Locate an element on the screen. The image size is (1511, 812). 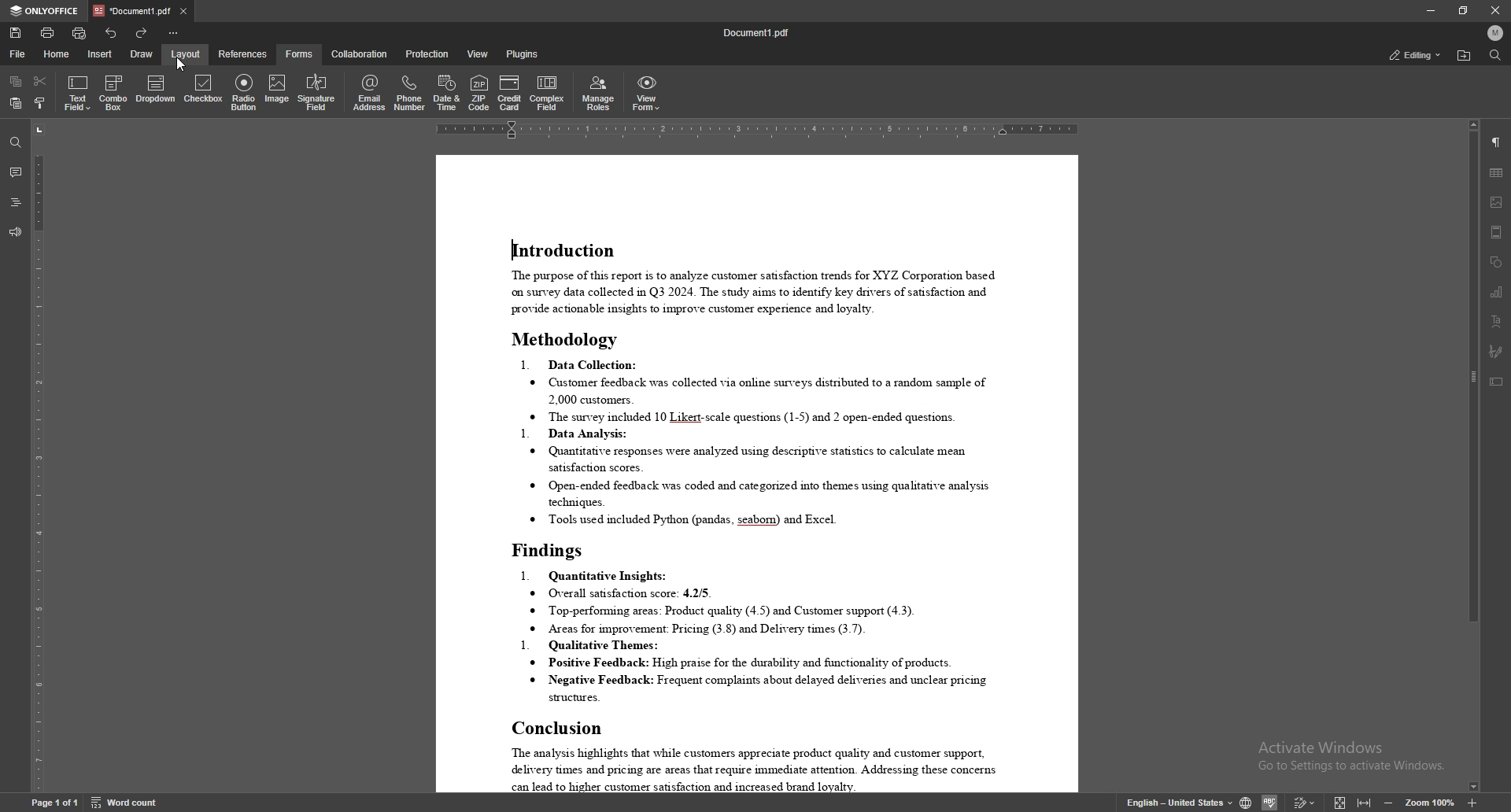
zoom is located at coordinates (1431, 801).